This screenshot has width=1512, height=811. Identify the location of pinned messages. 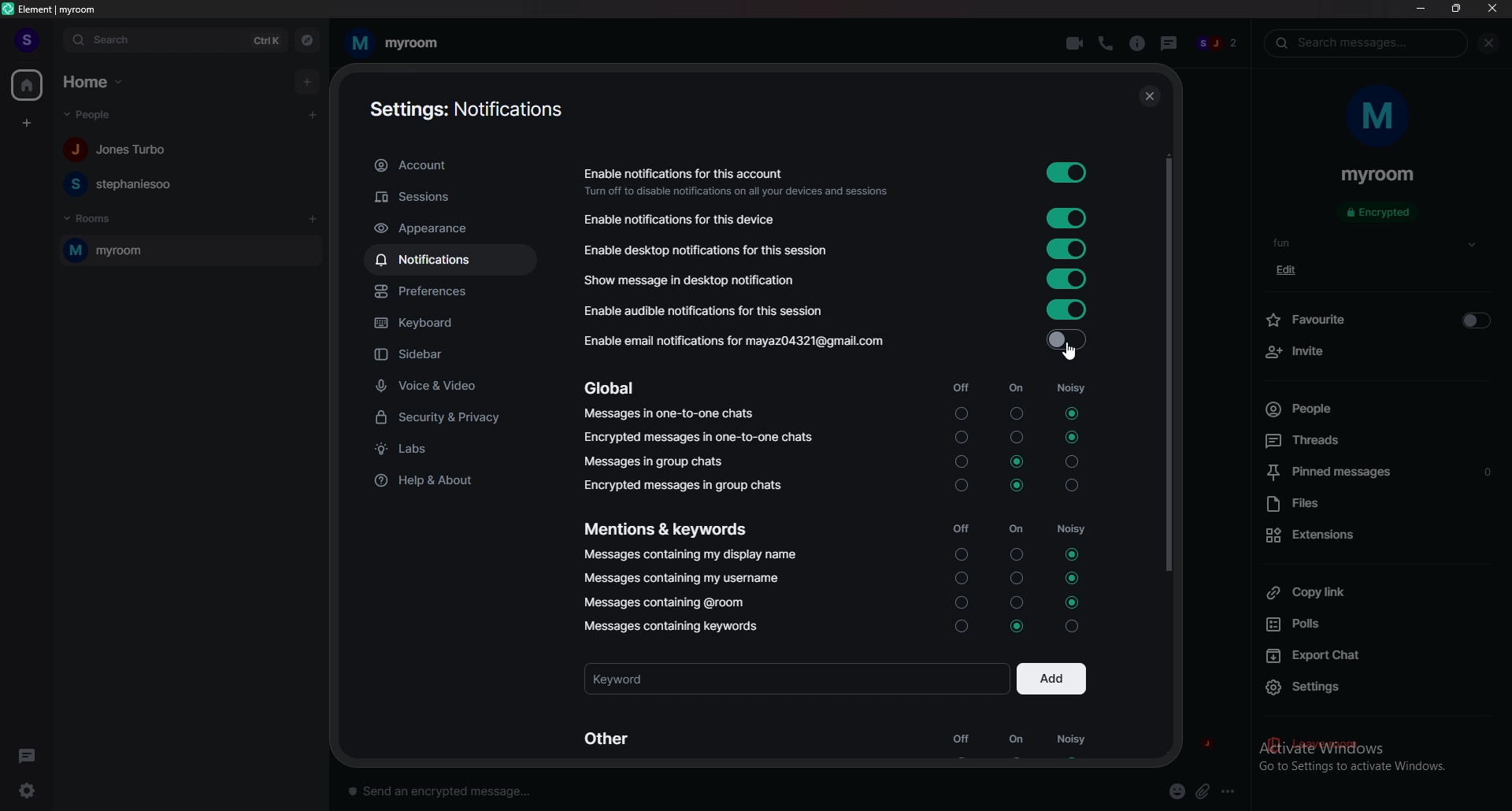
(1380, 474).